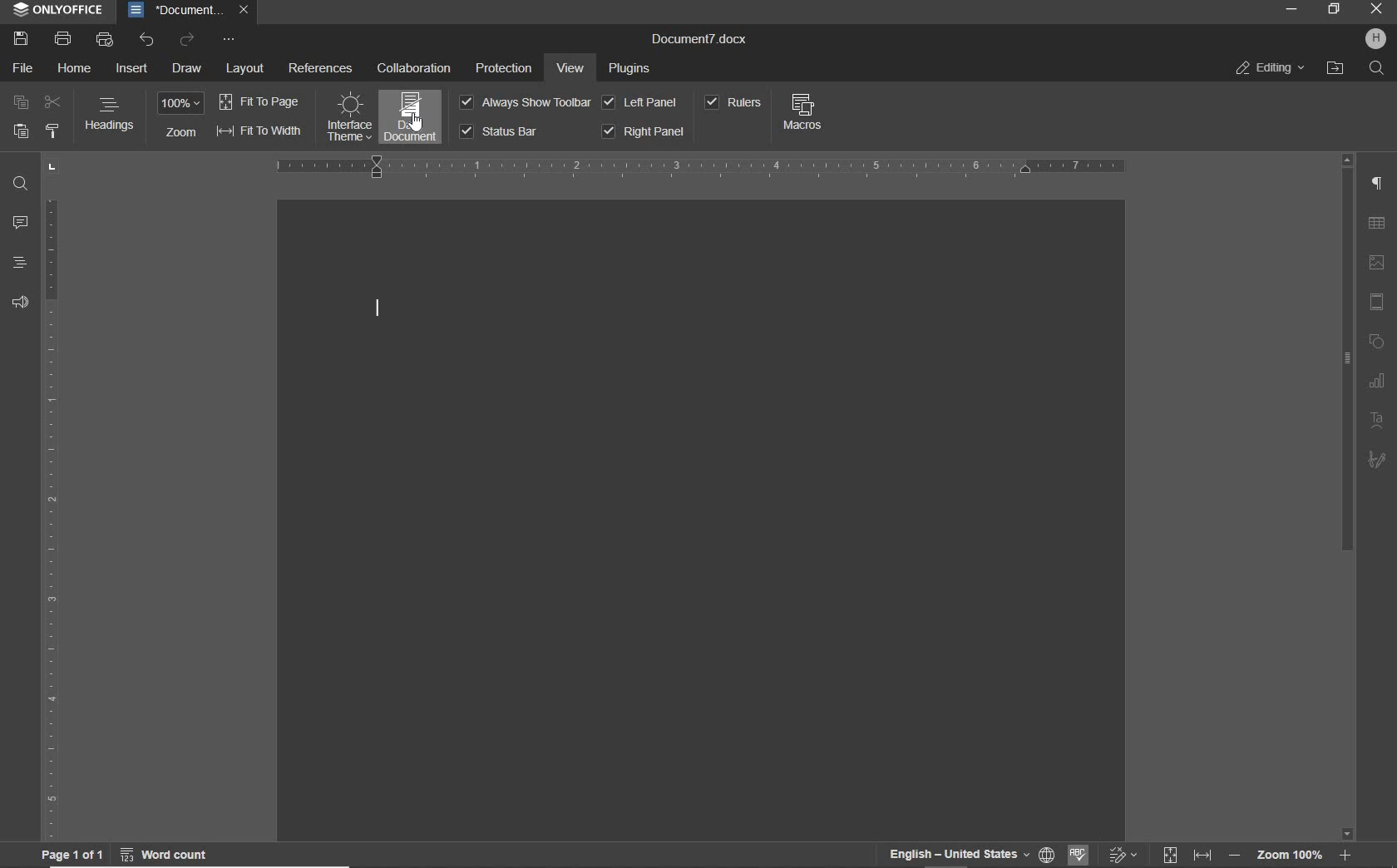 The width and height of the screenshot is (1397, 868). What do you see at coordinates (230, 40) in the screenshot?
I see `CUSTOMIZE QUICK ACCESS TOOLBAR` at bounding box center [230, 40].